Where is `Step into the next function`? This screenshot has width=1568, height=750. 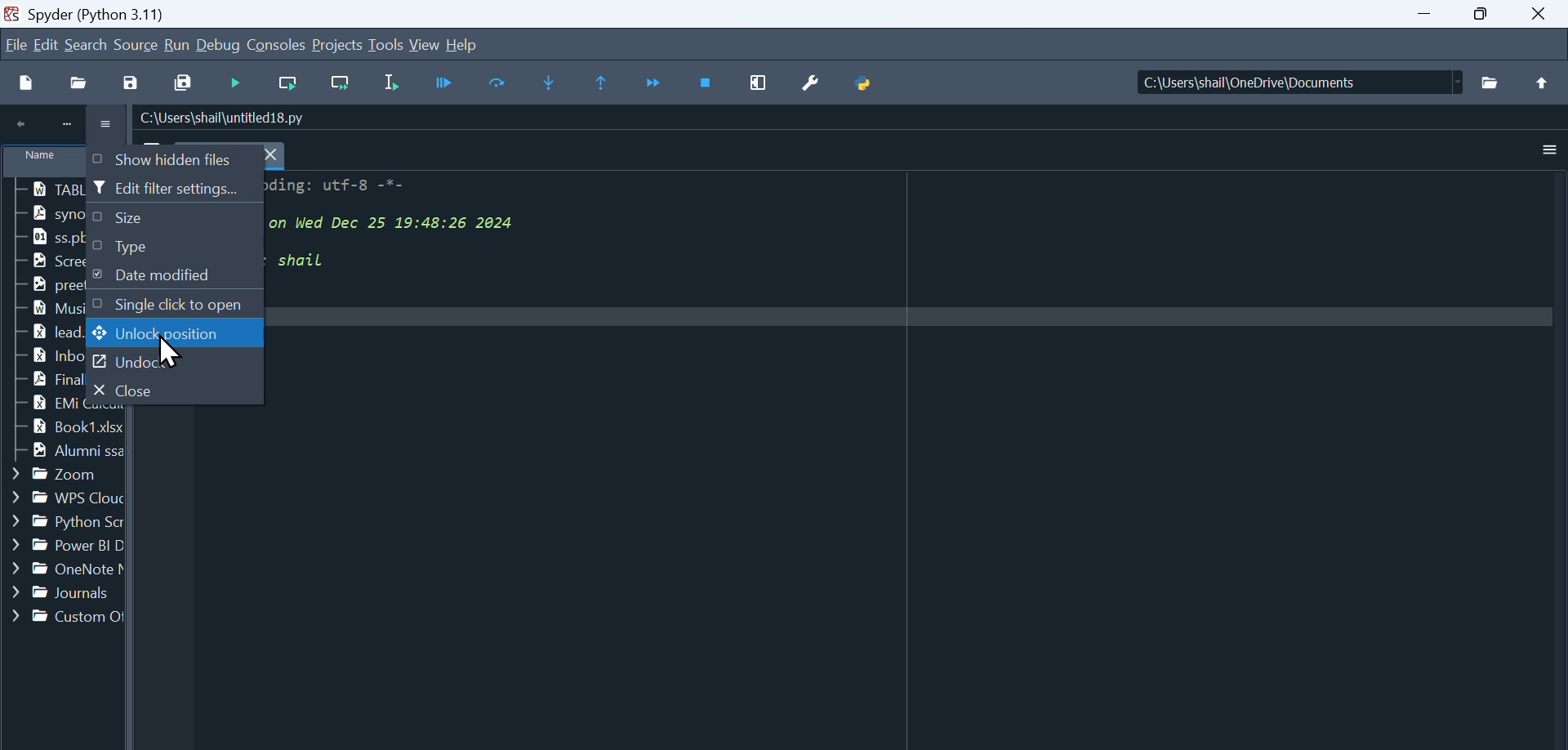
Step into the next function is located at coordinates (552, 83).